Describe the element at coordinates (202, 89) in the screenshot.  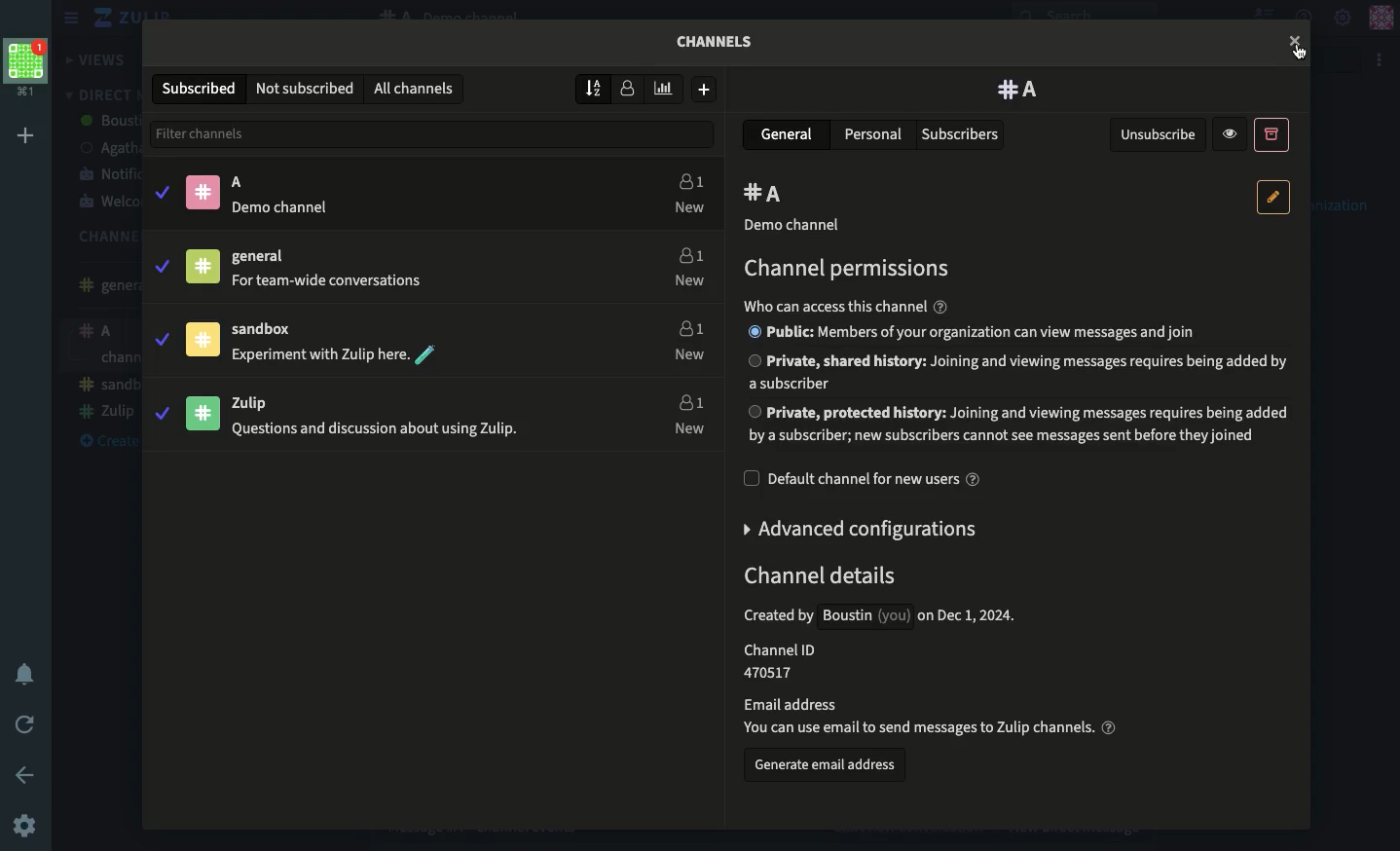
I see `Subscribed` at that location.